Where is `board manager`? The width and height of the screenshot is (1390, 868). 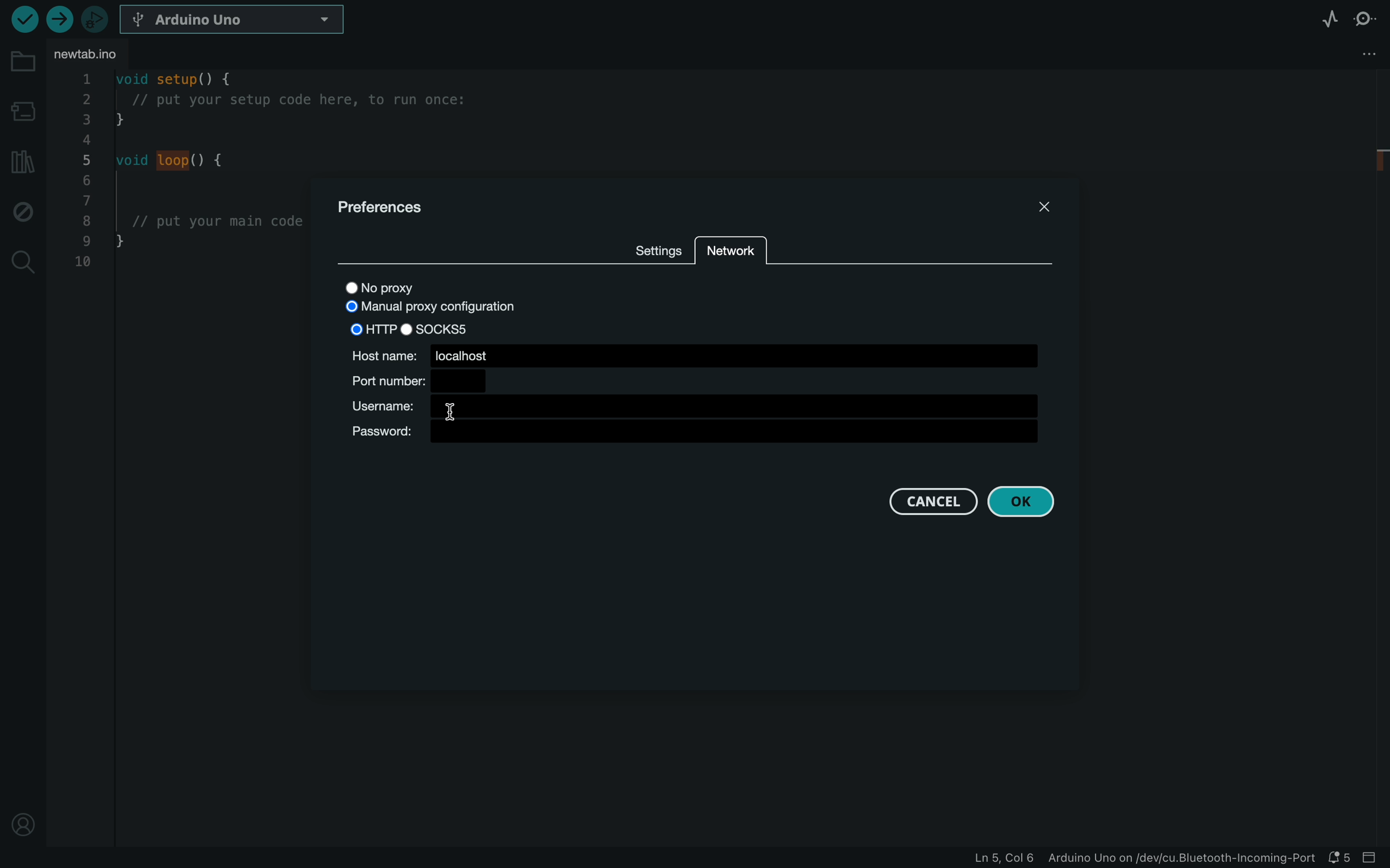 board manager is located at coordinates (22, 114).